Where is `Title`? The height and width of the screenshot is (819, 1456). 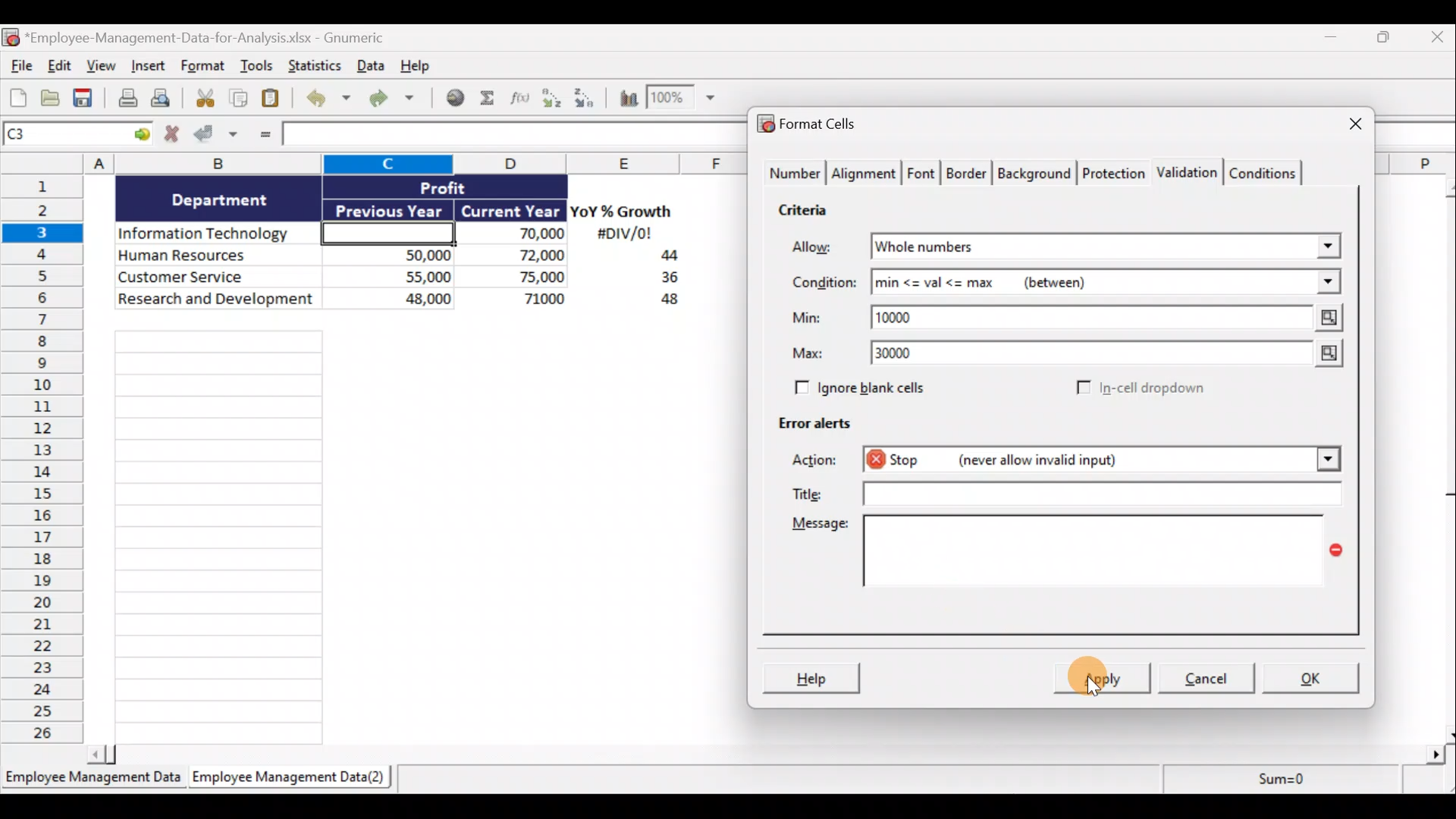 Title is located at coordinates (1072, 494).